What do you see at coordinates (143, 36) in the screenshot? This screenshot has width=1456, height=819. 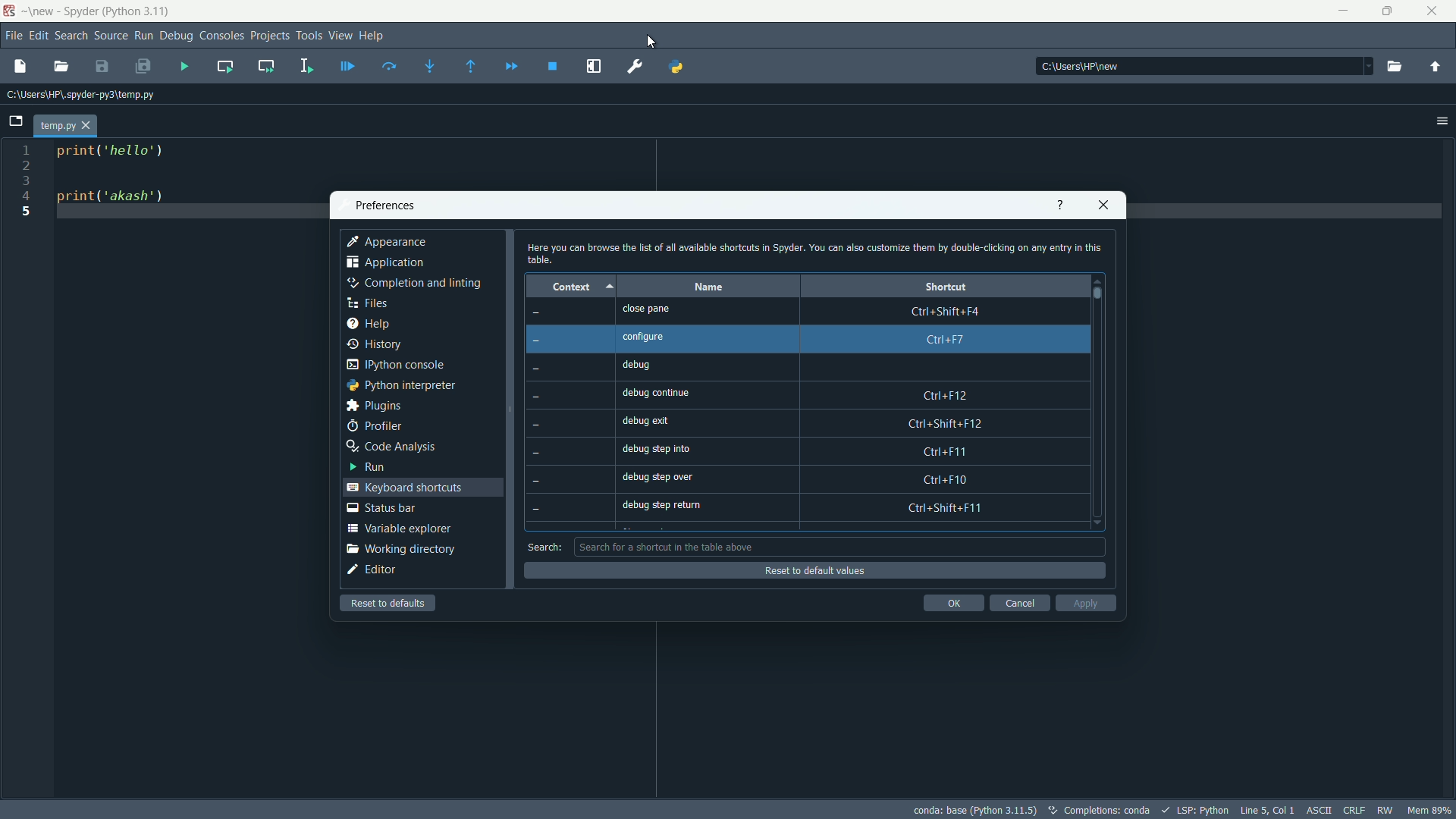 I see `run menu` at bounding box center [143, 36].